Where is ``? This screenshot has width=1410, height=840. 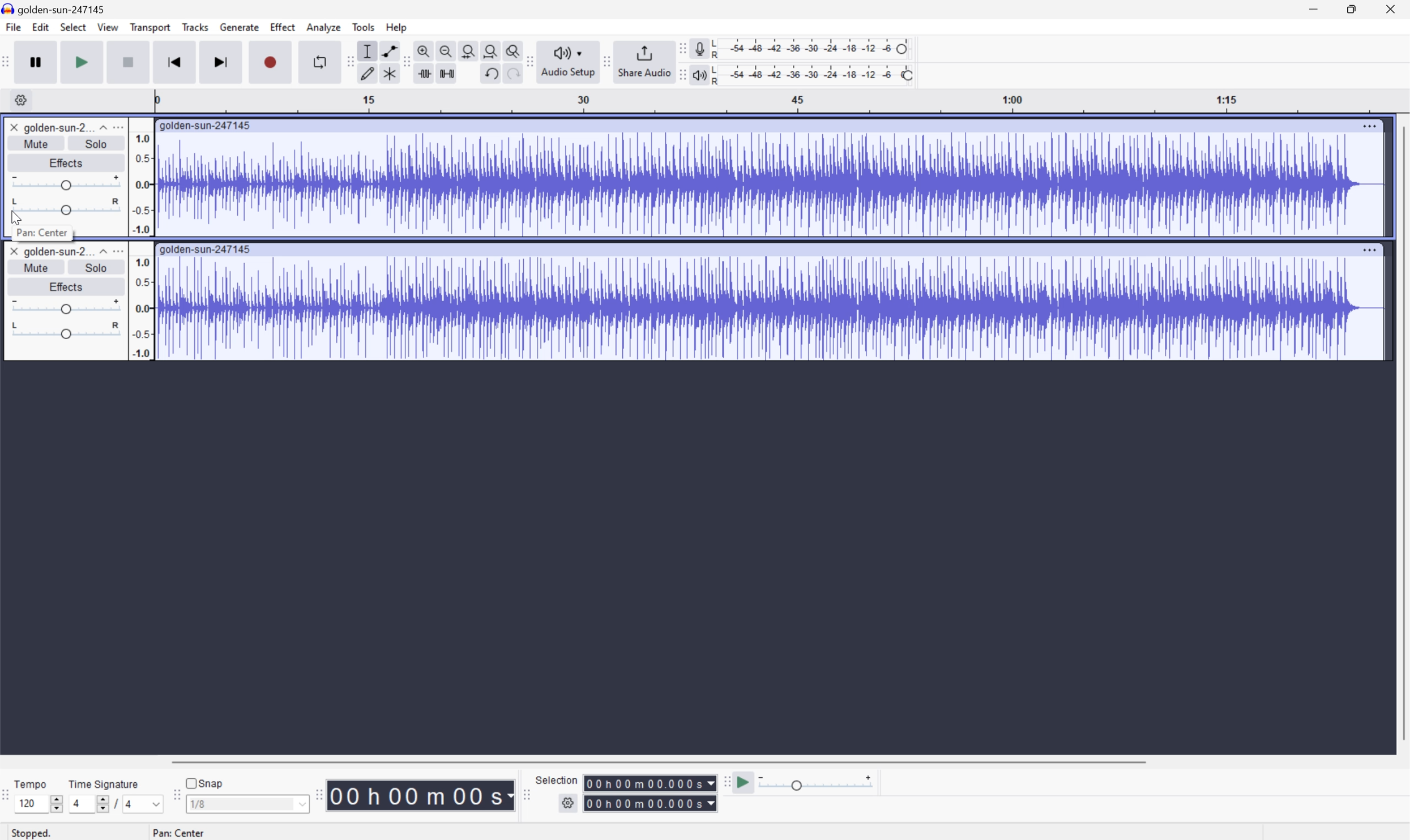  is located at coordinates (318, 794).